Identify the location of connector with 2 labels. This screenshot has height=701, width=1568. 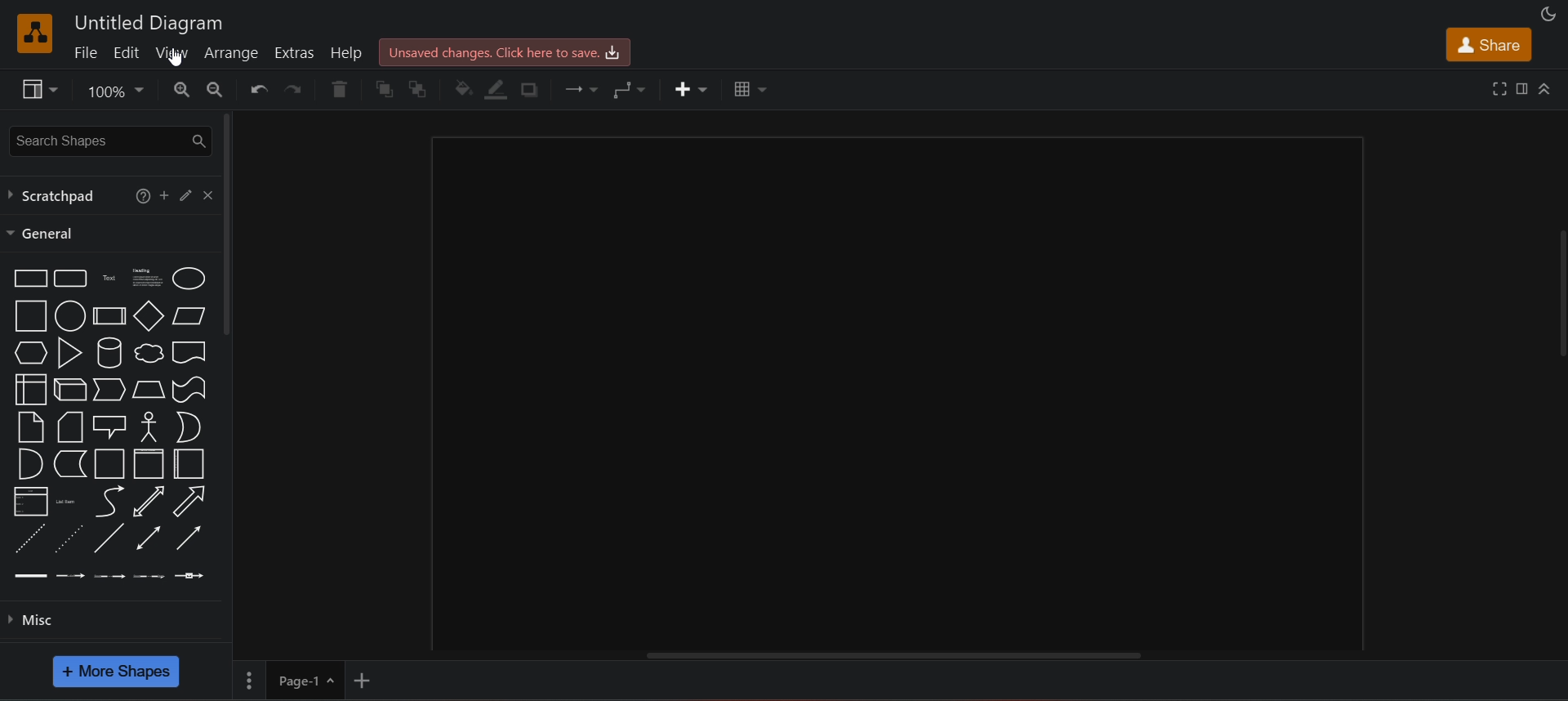
(109, 575).